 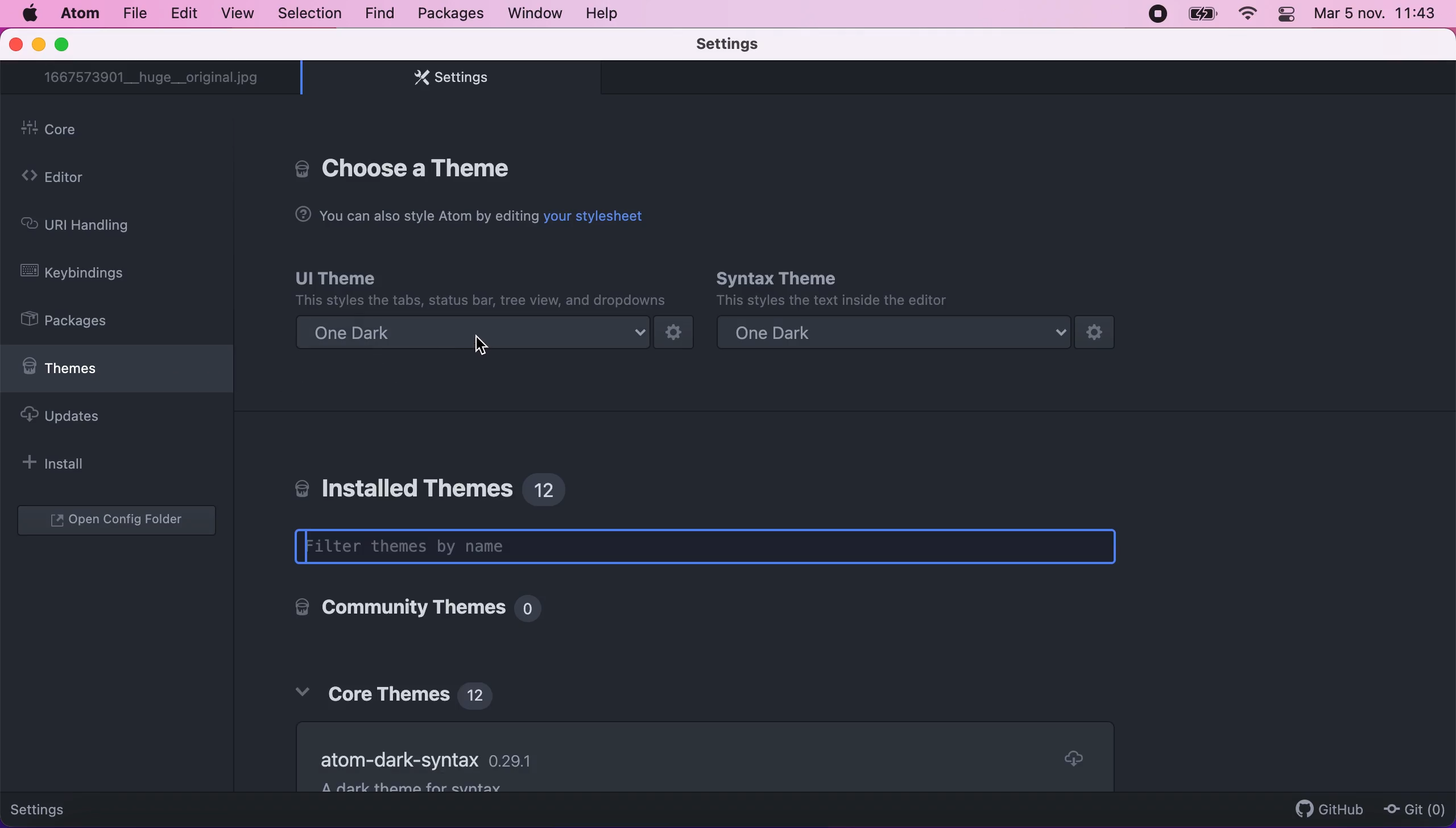 I want to click on install, so click(x=77, y=465).